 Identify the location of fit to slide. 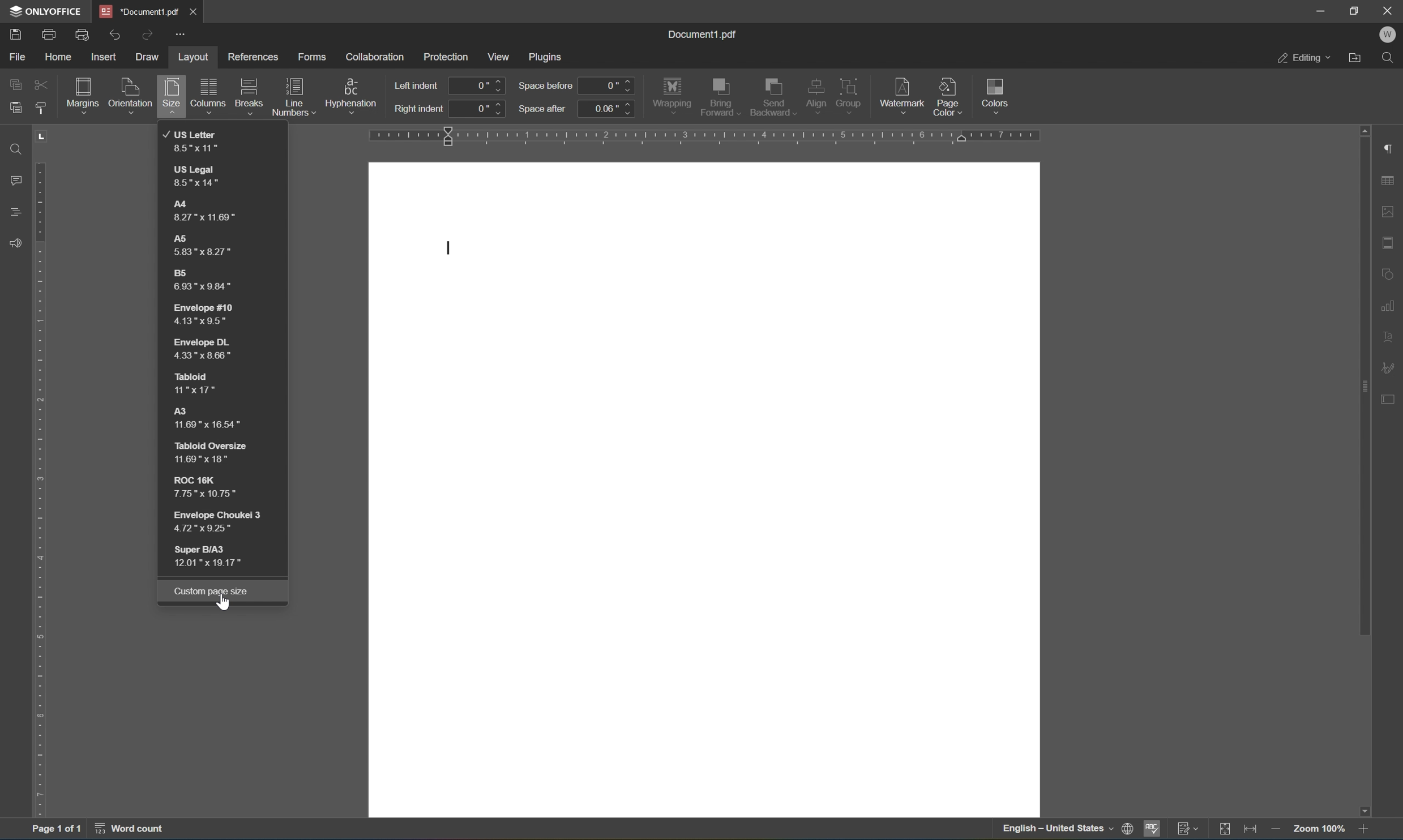
(1229, 829).